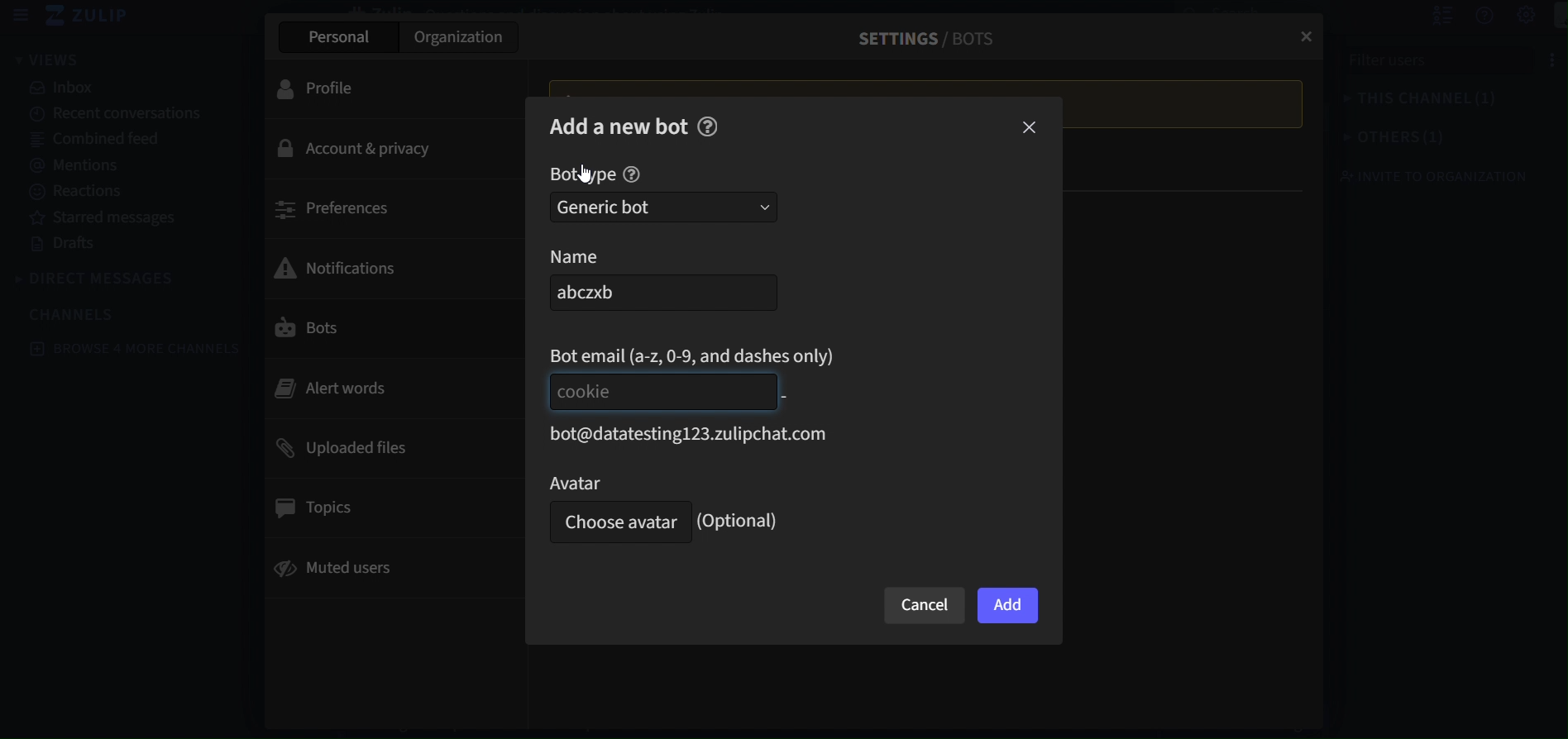 The width and height of the screenshot is (1568, 739). What do you see at coordinates (1432, 102) in the screenshot?
I see `this channel(1)` at bounding box center [1432, 102].